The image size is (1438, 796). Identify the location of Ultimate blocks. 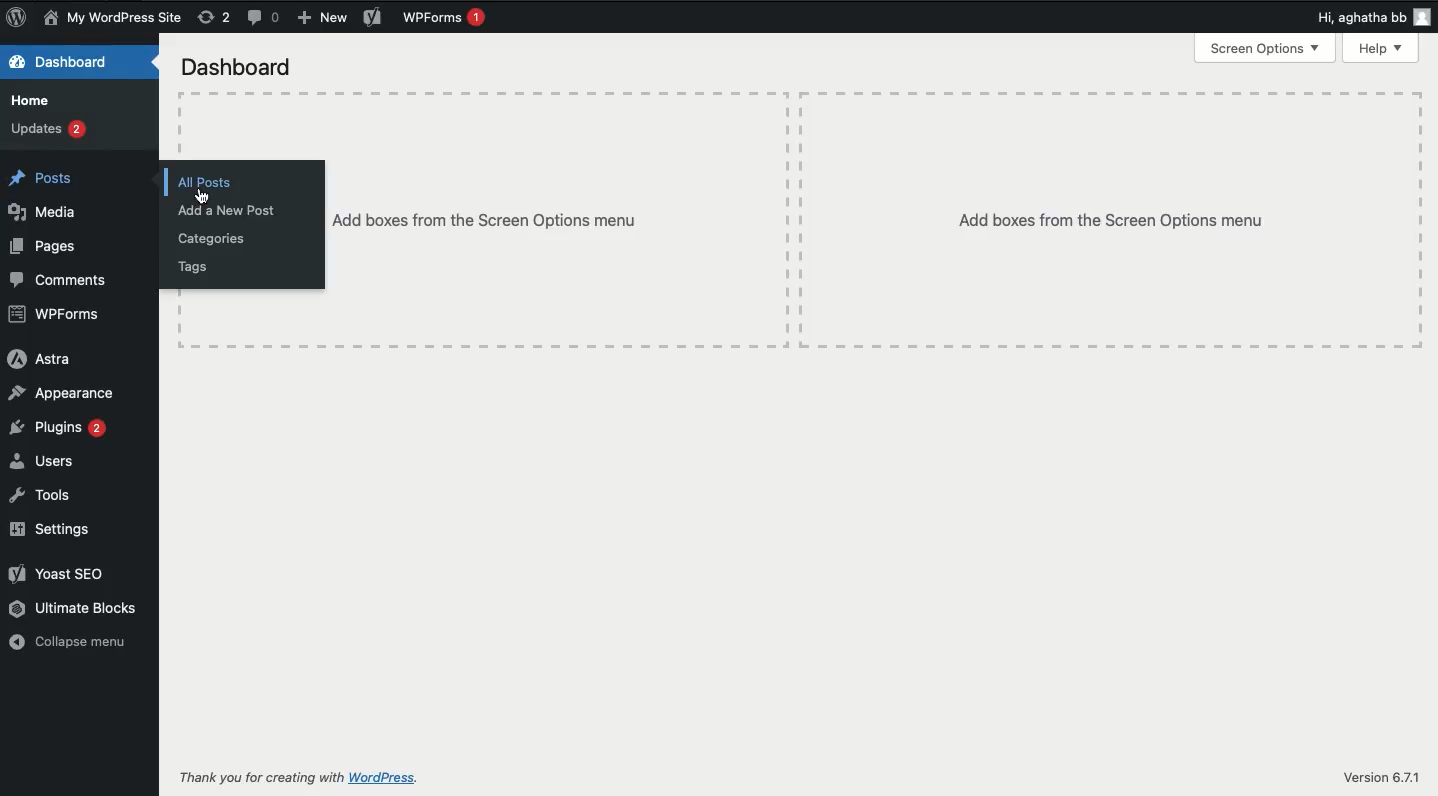
(76, 609).